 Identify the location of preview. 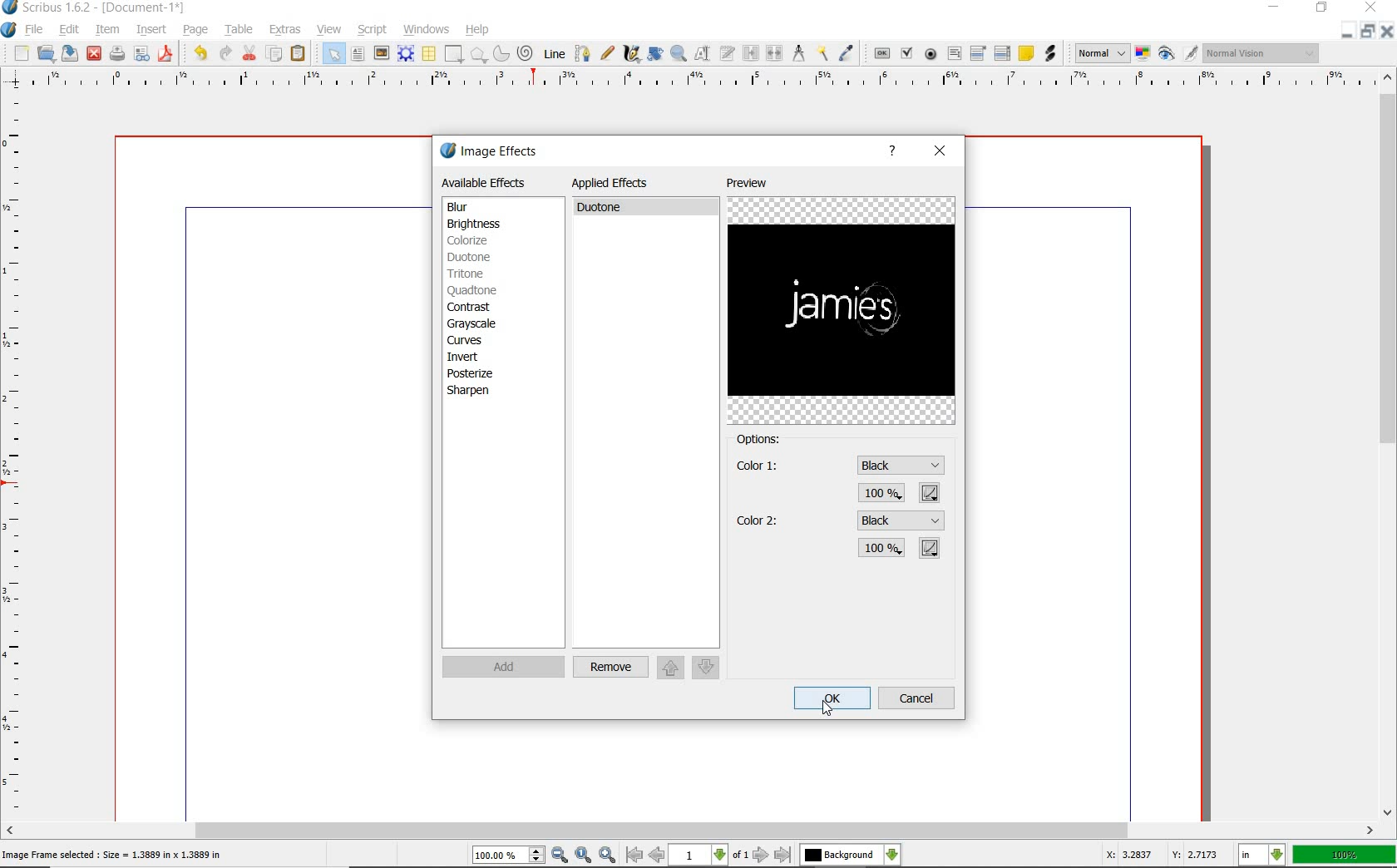
(753, 184).